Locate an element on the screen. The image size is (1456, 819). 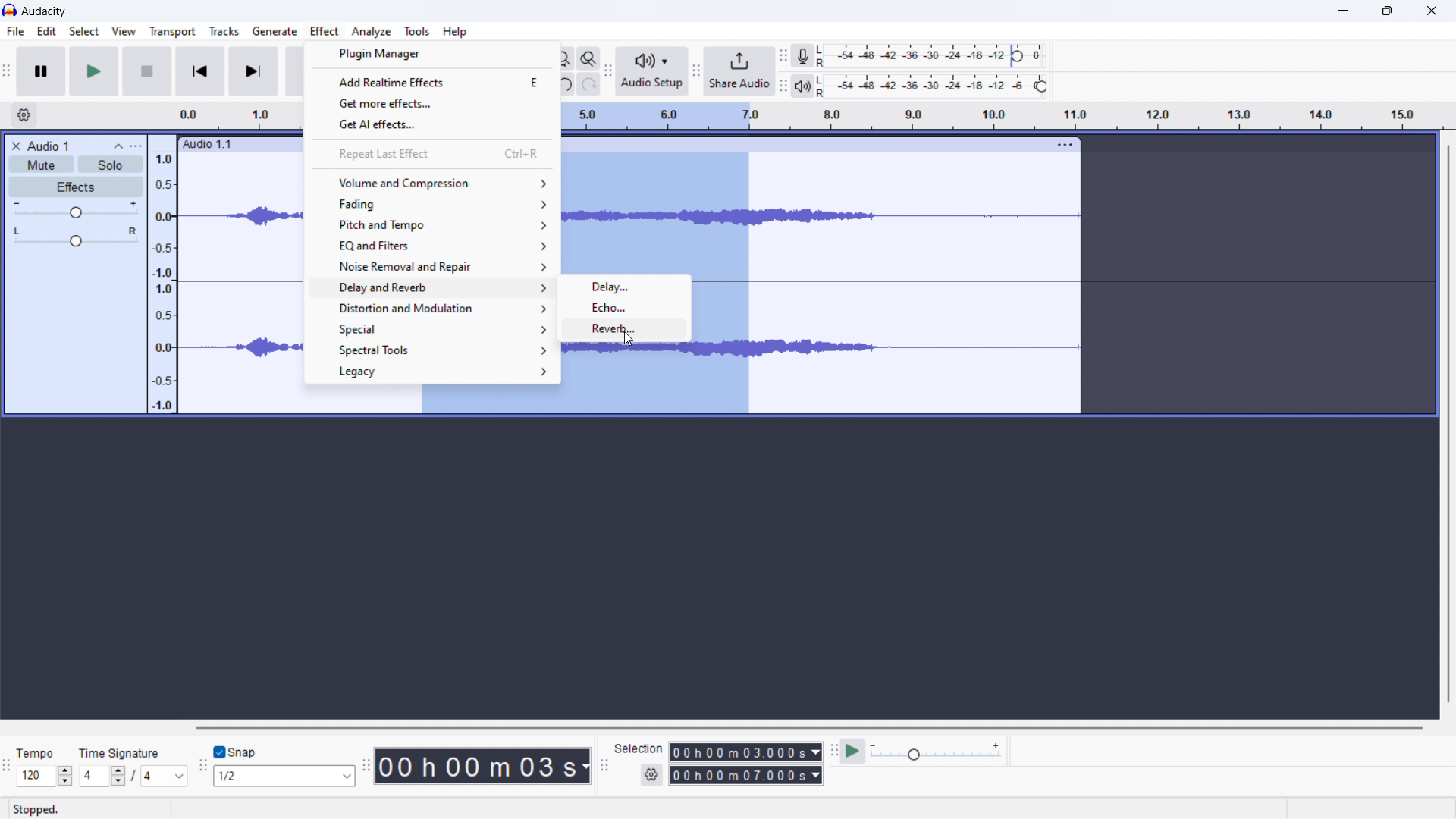
share audio is located at coordinates (740, 72).